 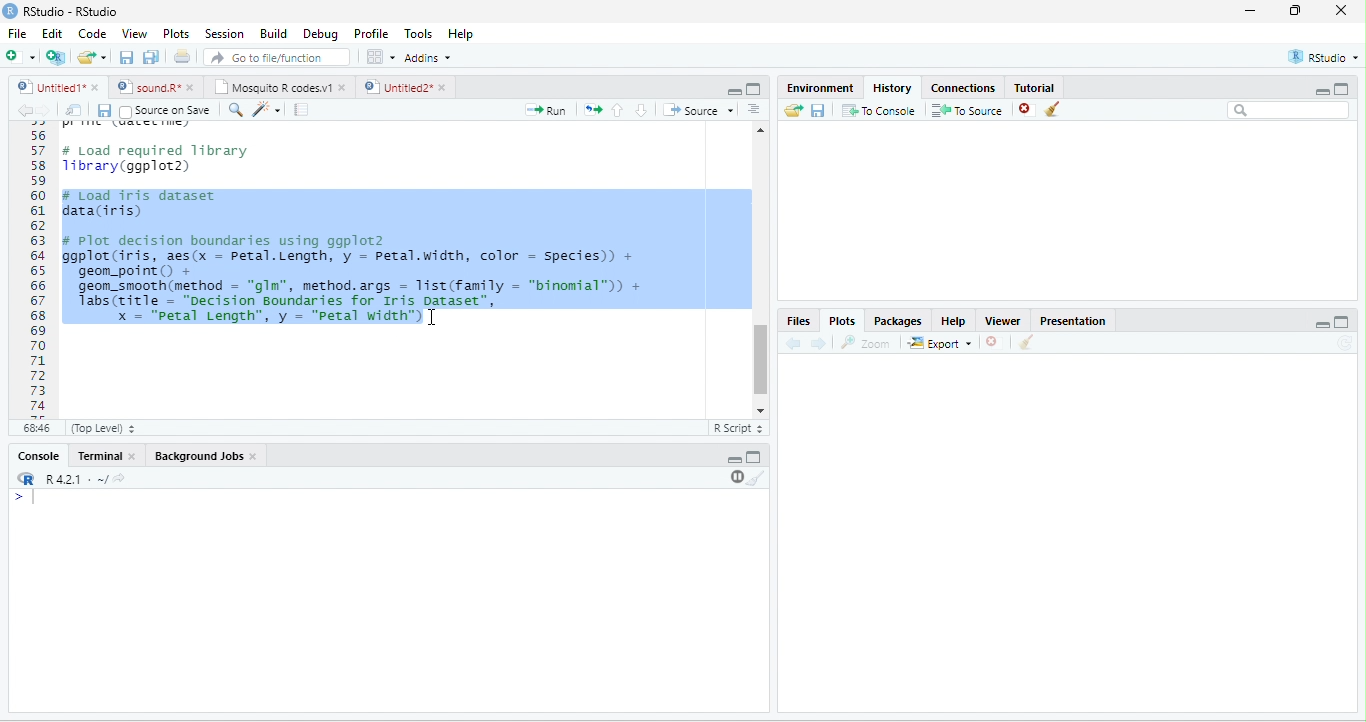 What do you see at coordinates (1324, 57) in the screenshot?
I see `RStudio` at bounding box center [1324, 57].